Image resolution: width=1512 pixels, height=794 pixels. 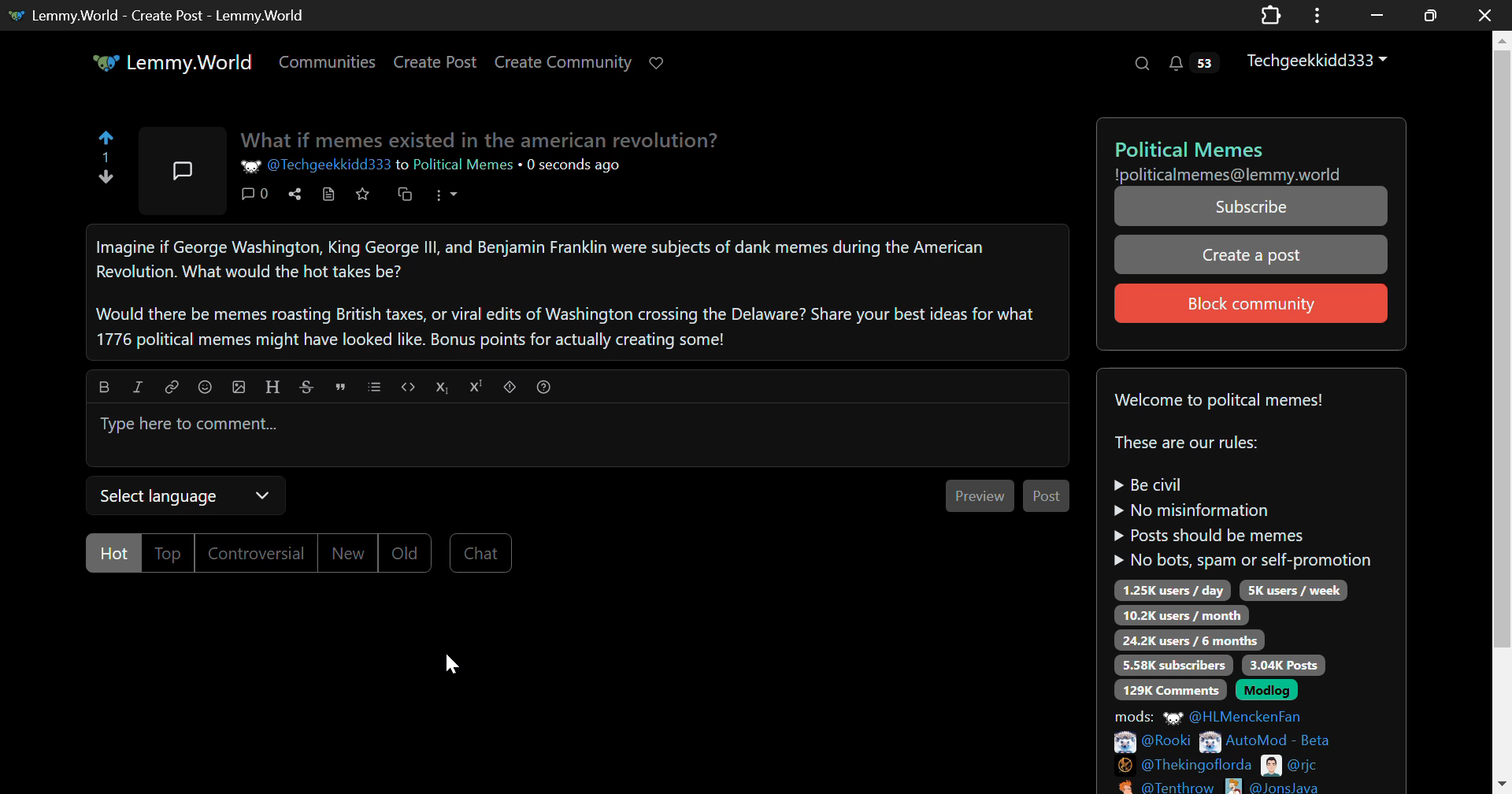 I want to click on Superscript, so click(x=476, y=386).